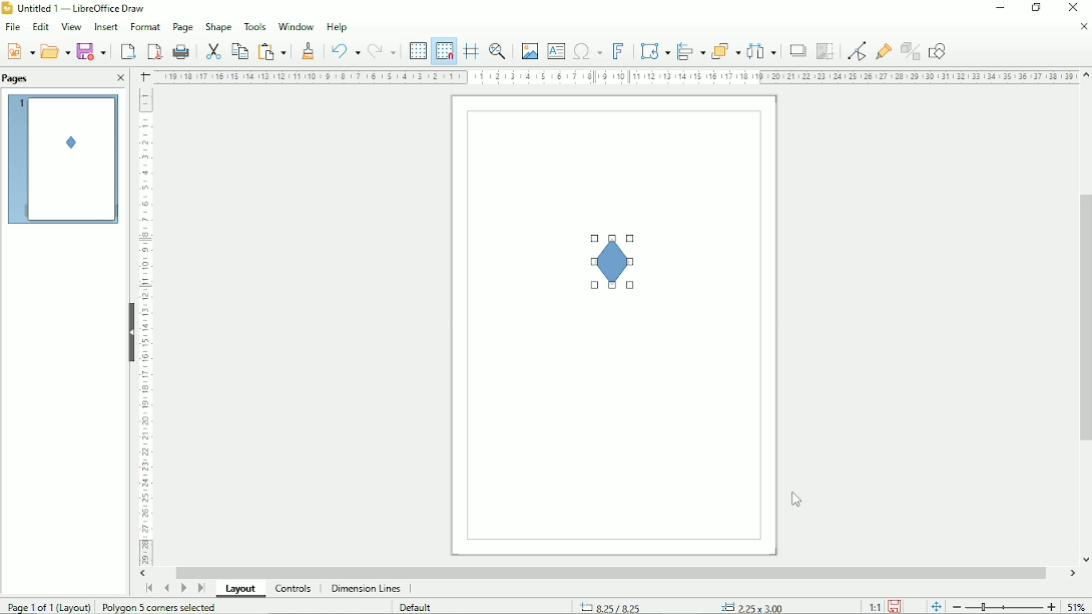  I want to click on Toggle extrusion, so click(910, 49).